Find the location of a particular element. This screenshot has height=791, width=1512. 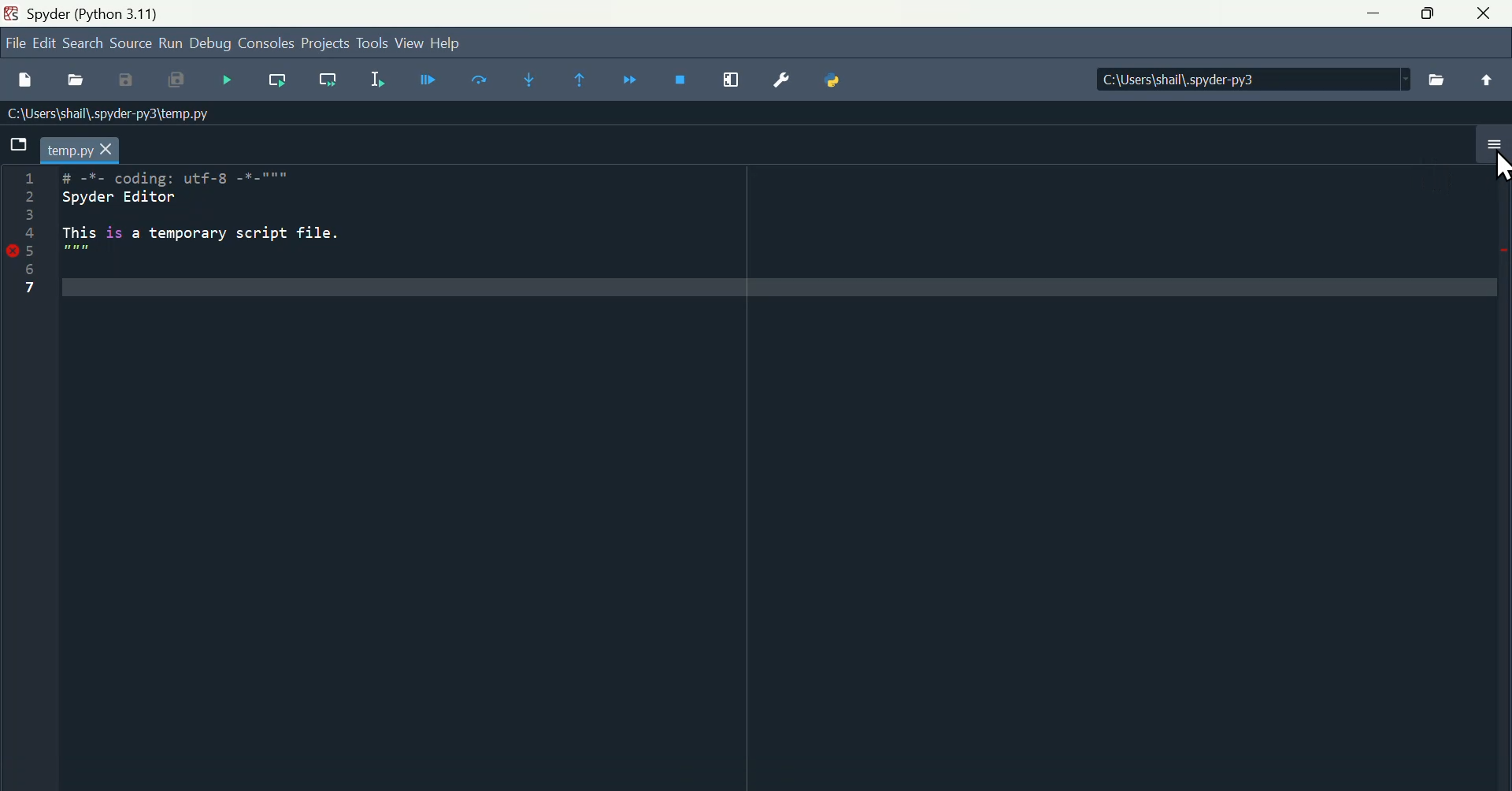

 is located at coordinates (46, 43).